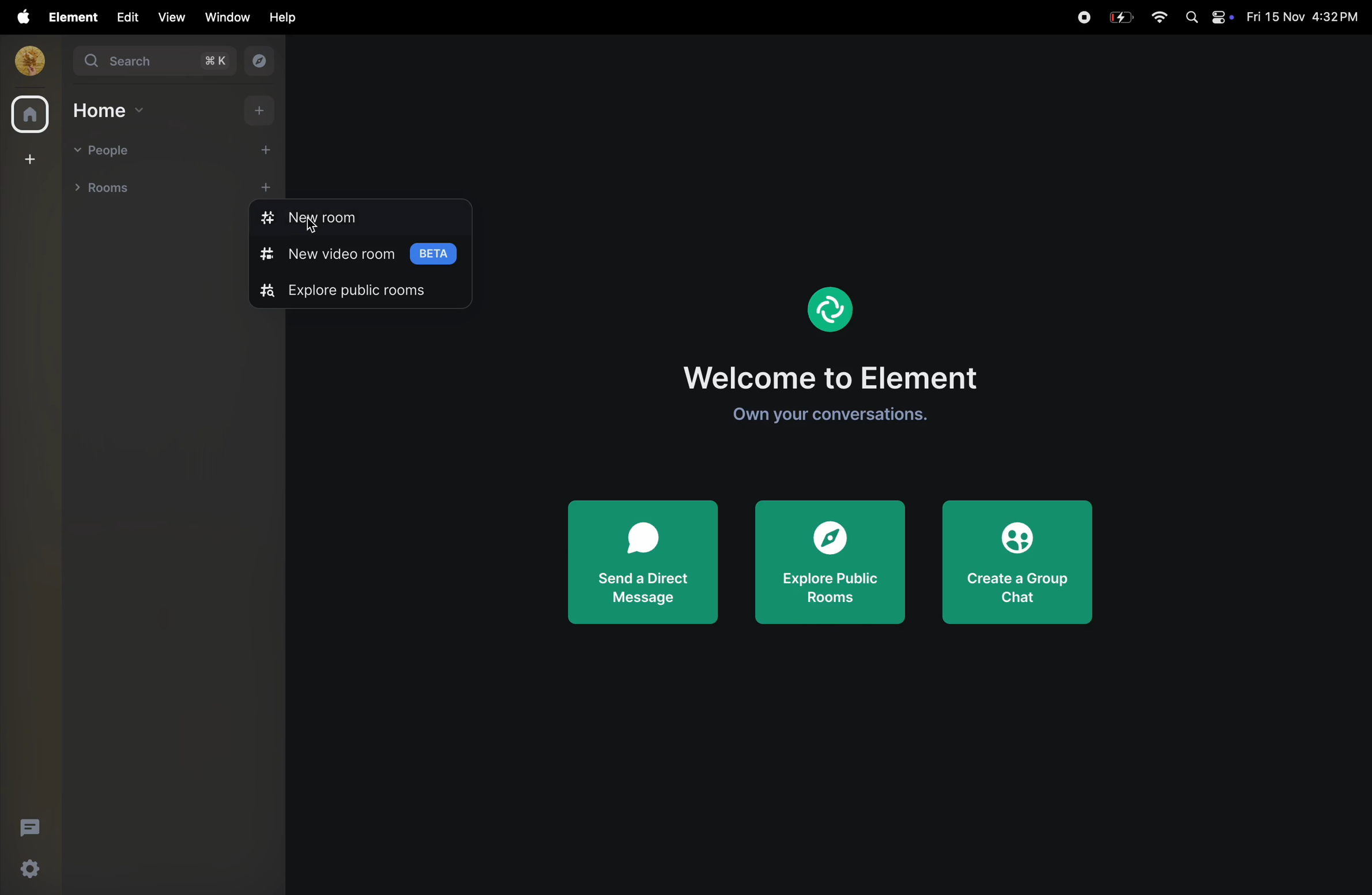  What do you see at coordinates (27, 114) in the screenshot?
I see `home` at bounding box center [27, 114].